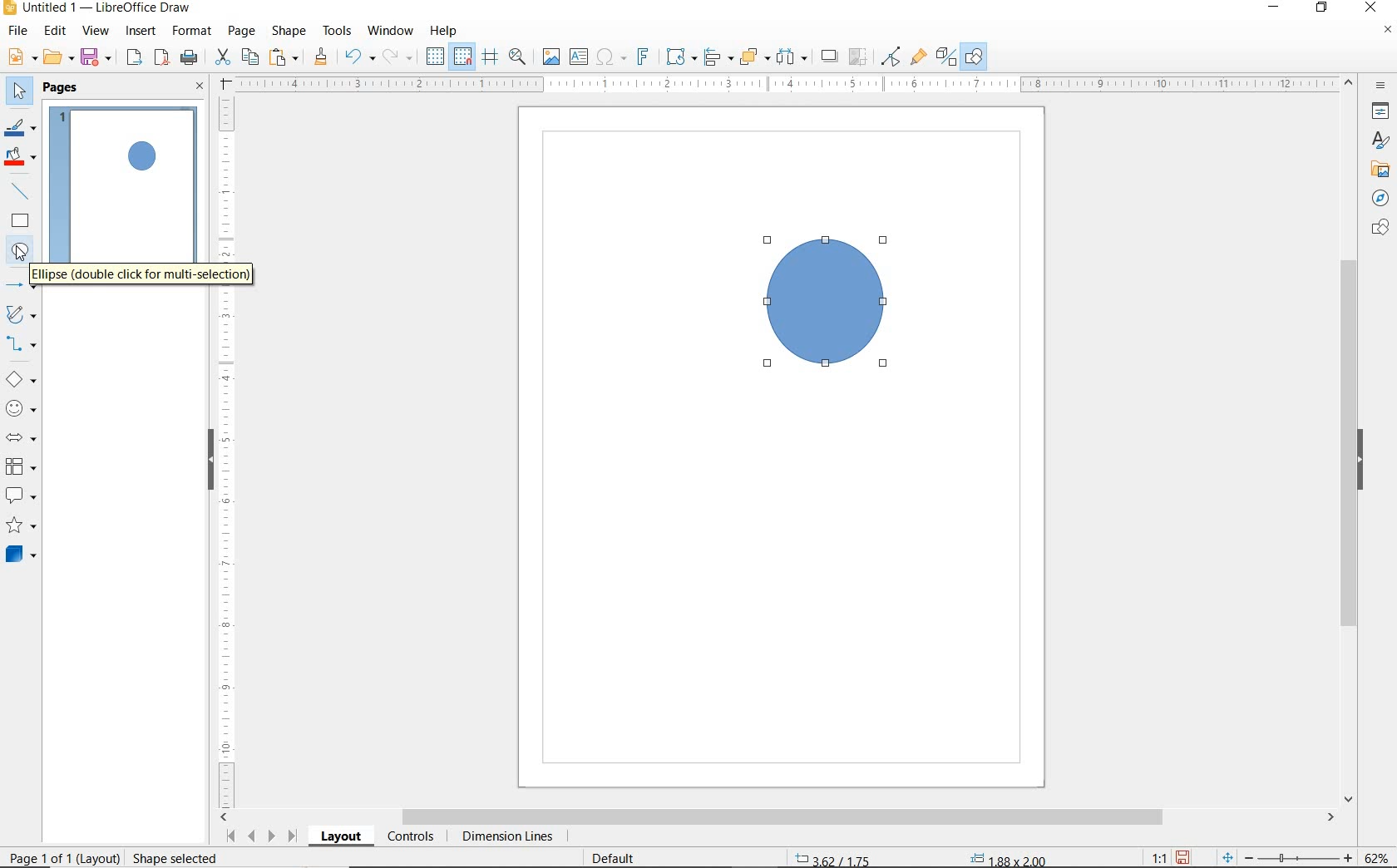  I want to click on rESIZE sHAPE, so click(168, 857).